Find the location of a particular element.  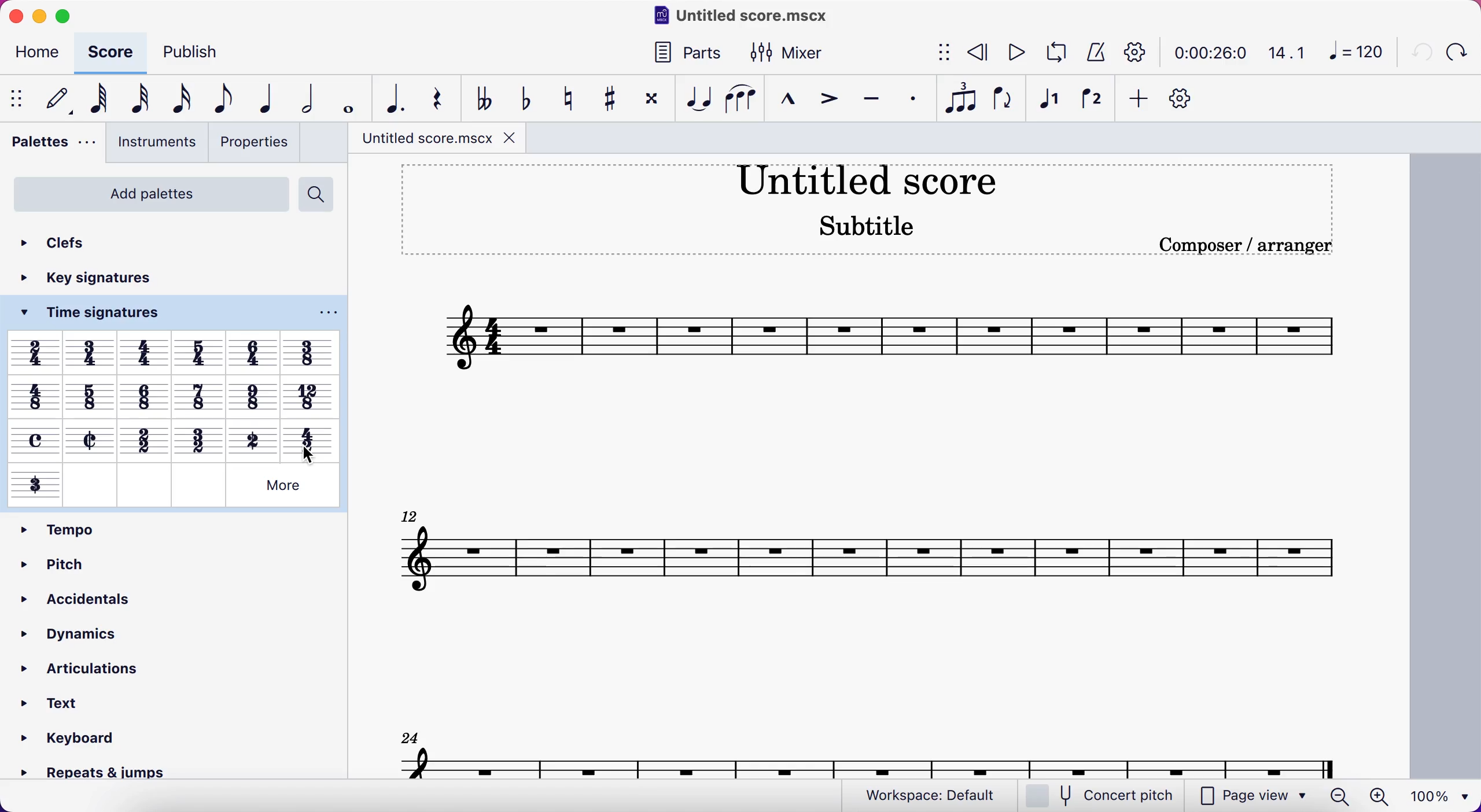

playback settings is located at coordinates (1135, 54).